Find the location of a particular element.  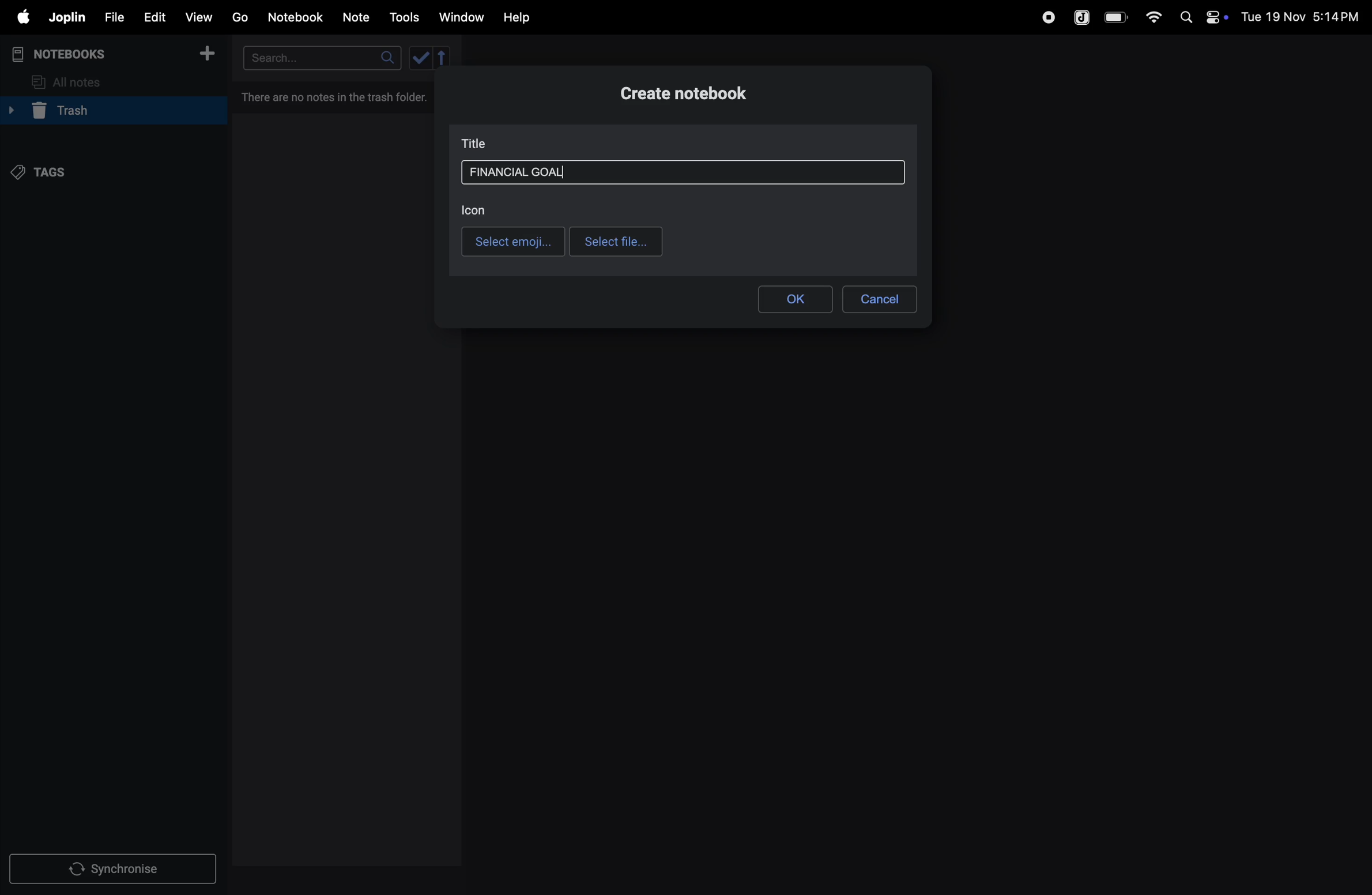

synchronize is located at coordinates (114, 867).